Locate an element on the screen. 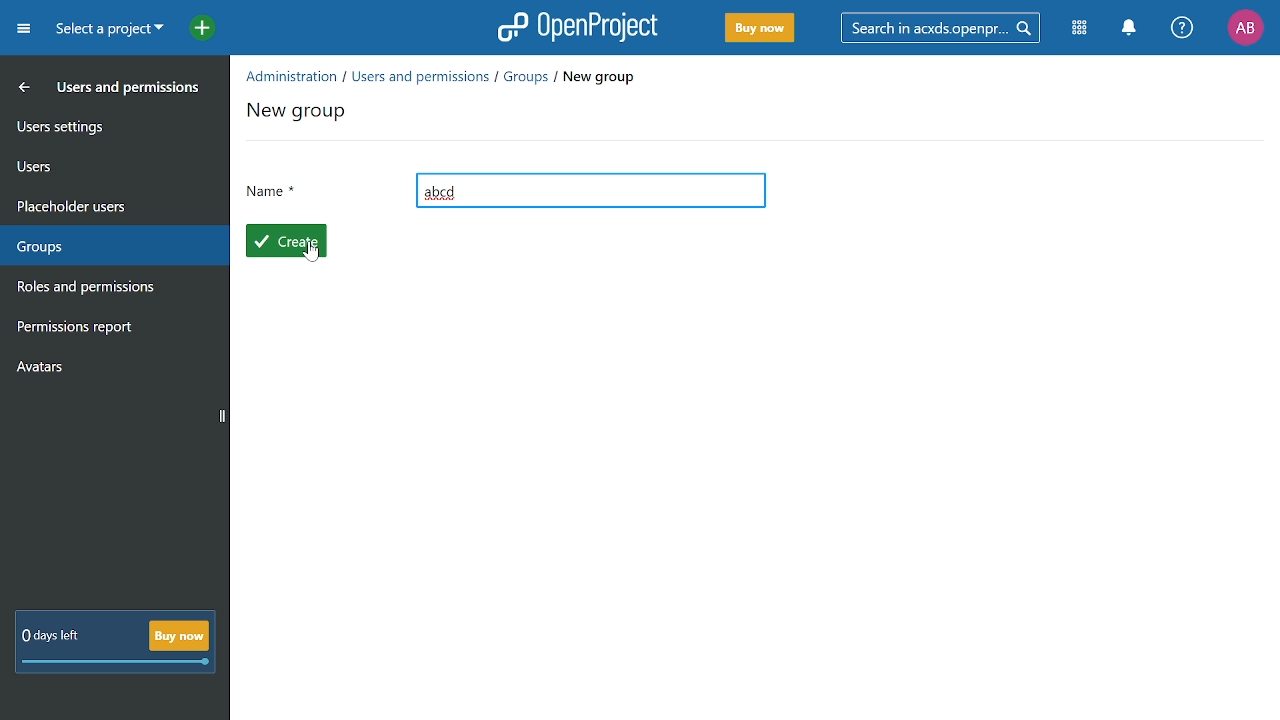 Image resolution: width=1280 pixels, height=720 pixels. search is located at coordinates (937, 27).